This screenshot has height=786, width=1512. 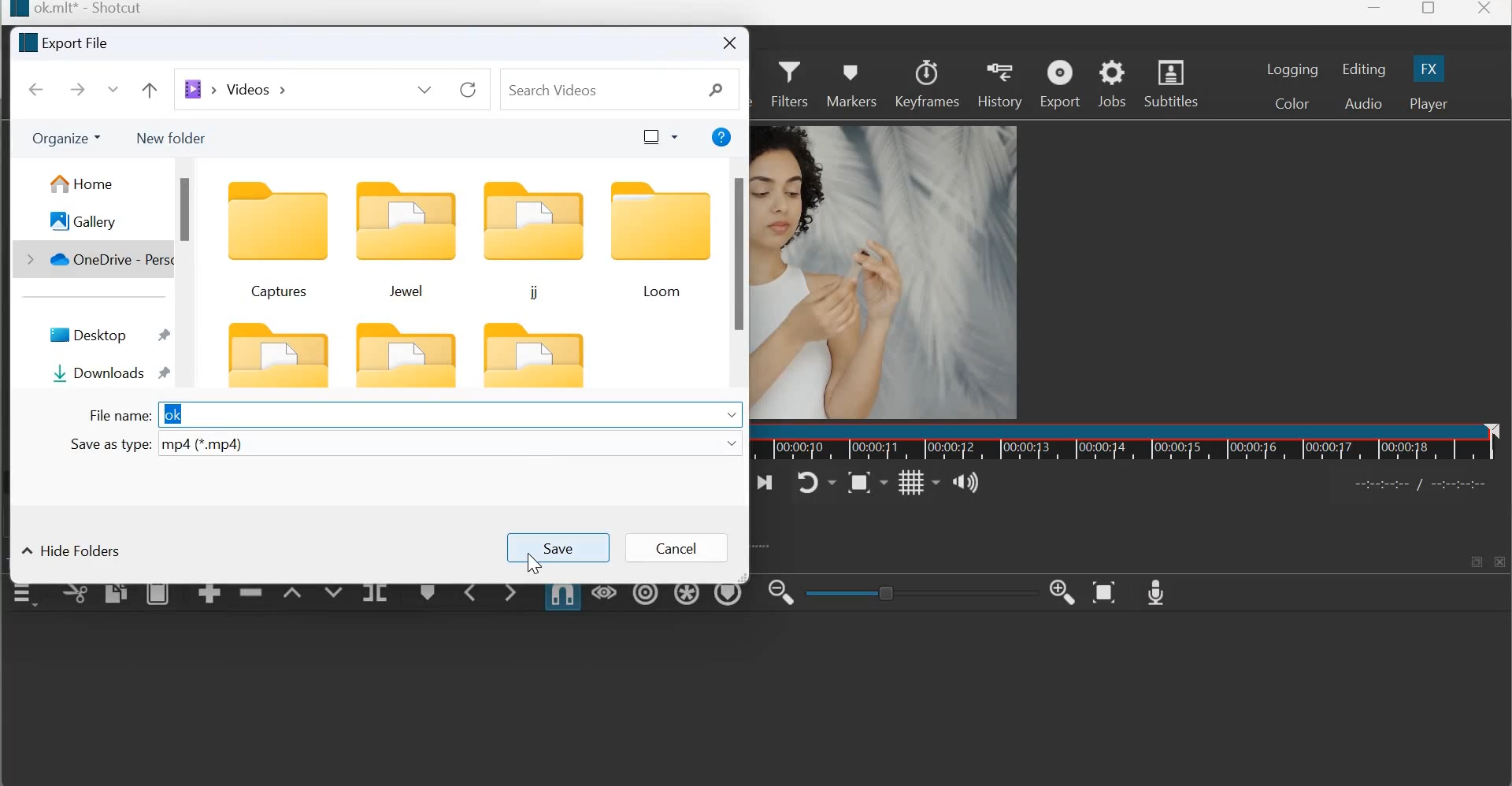 I want to click on New folder, so click(x=172, y=136).